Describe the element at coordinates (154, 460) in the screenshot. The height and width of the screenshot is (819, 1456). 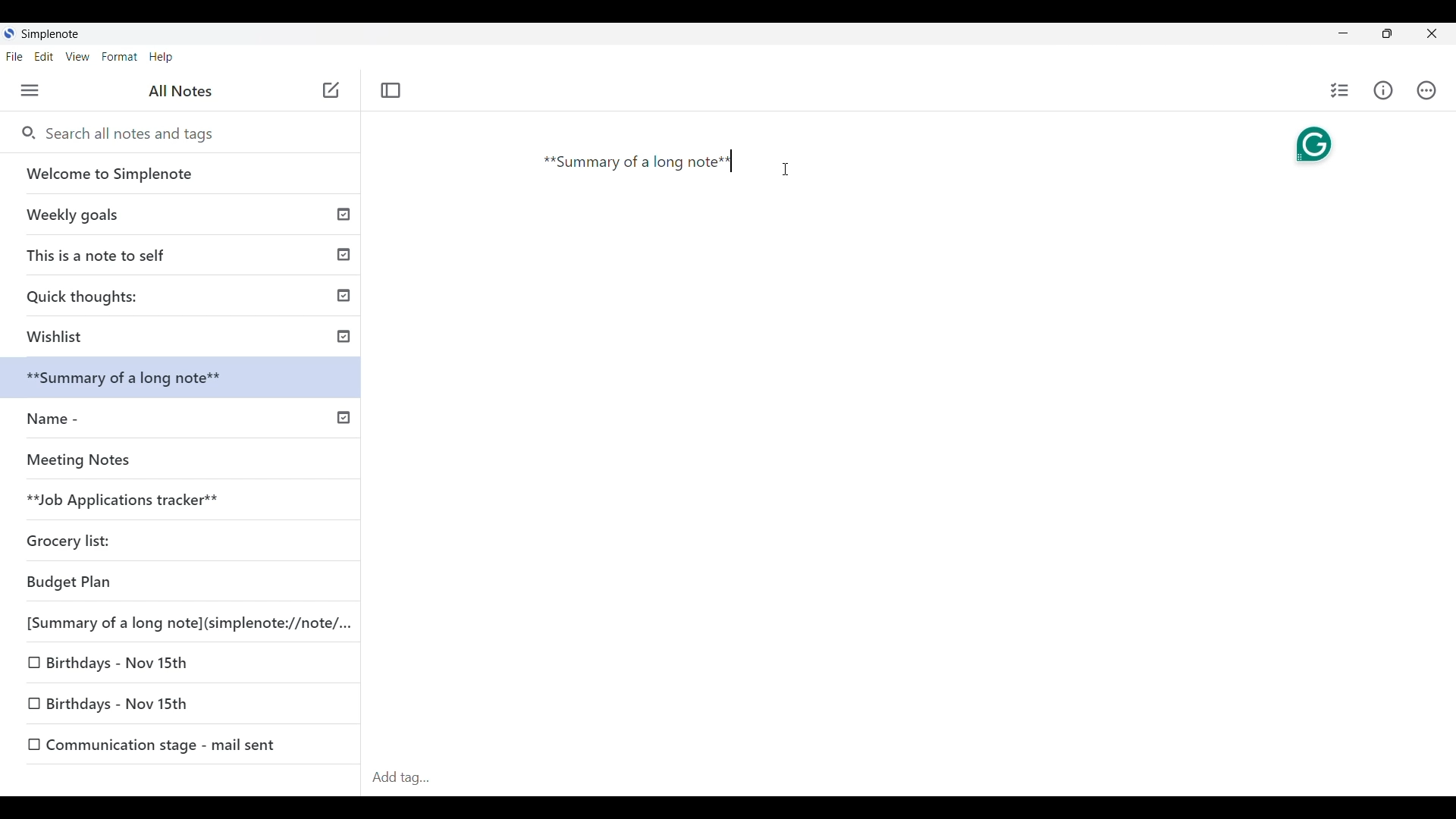
I see `Meeting notes` at that location.